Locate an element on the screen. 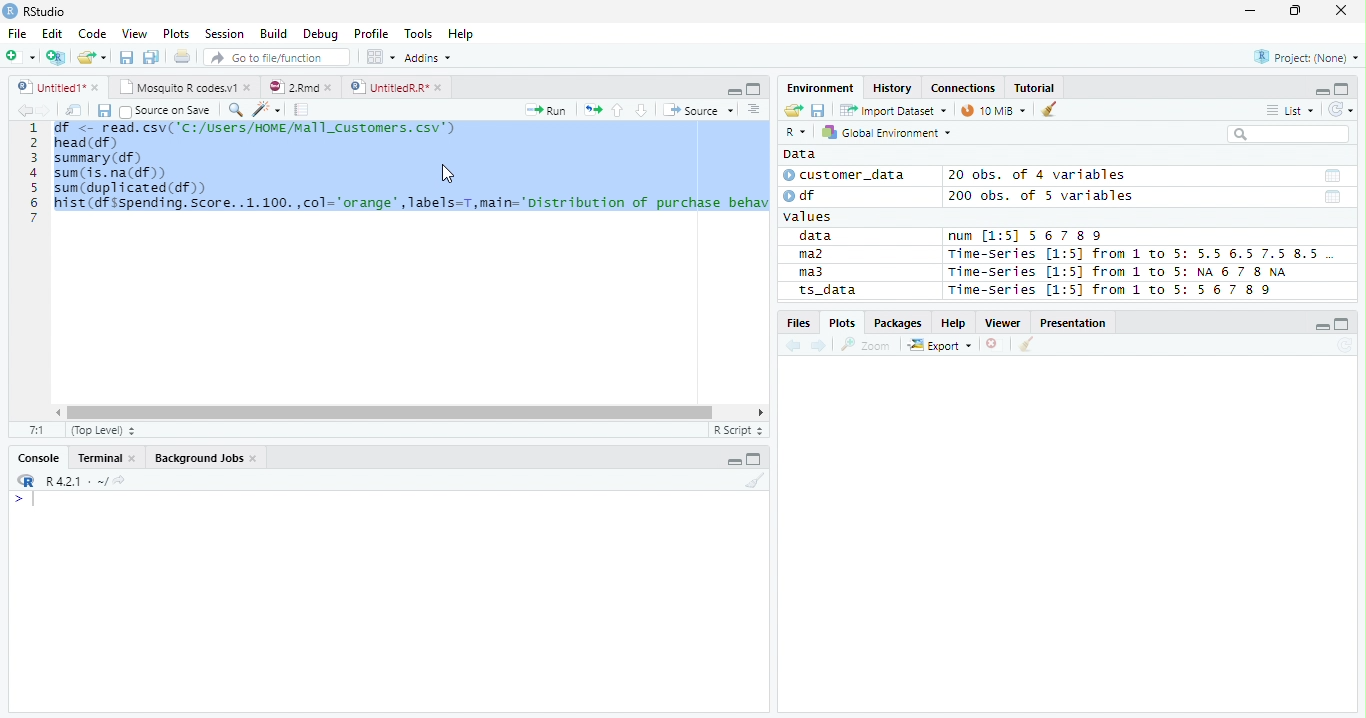 The height and width of the screenshot is (718, 1366). Global Environment is located at coordinates (887, 132).